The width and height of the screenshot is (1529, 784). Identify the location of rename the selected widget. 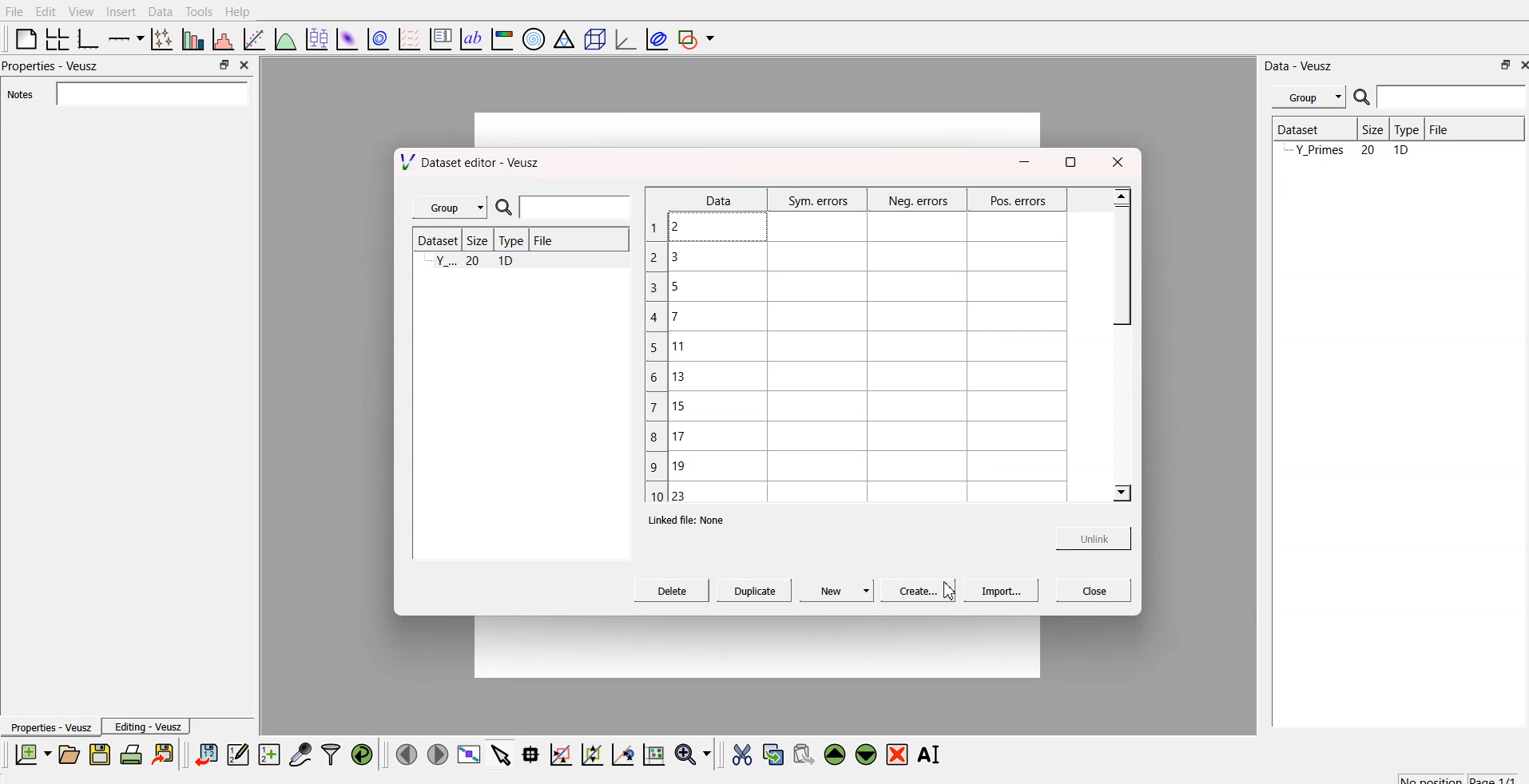
(933, 752).